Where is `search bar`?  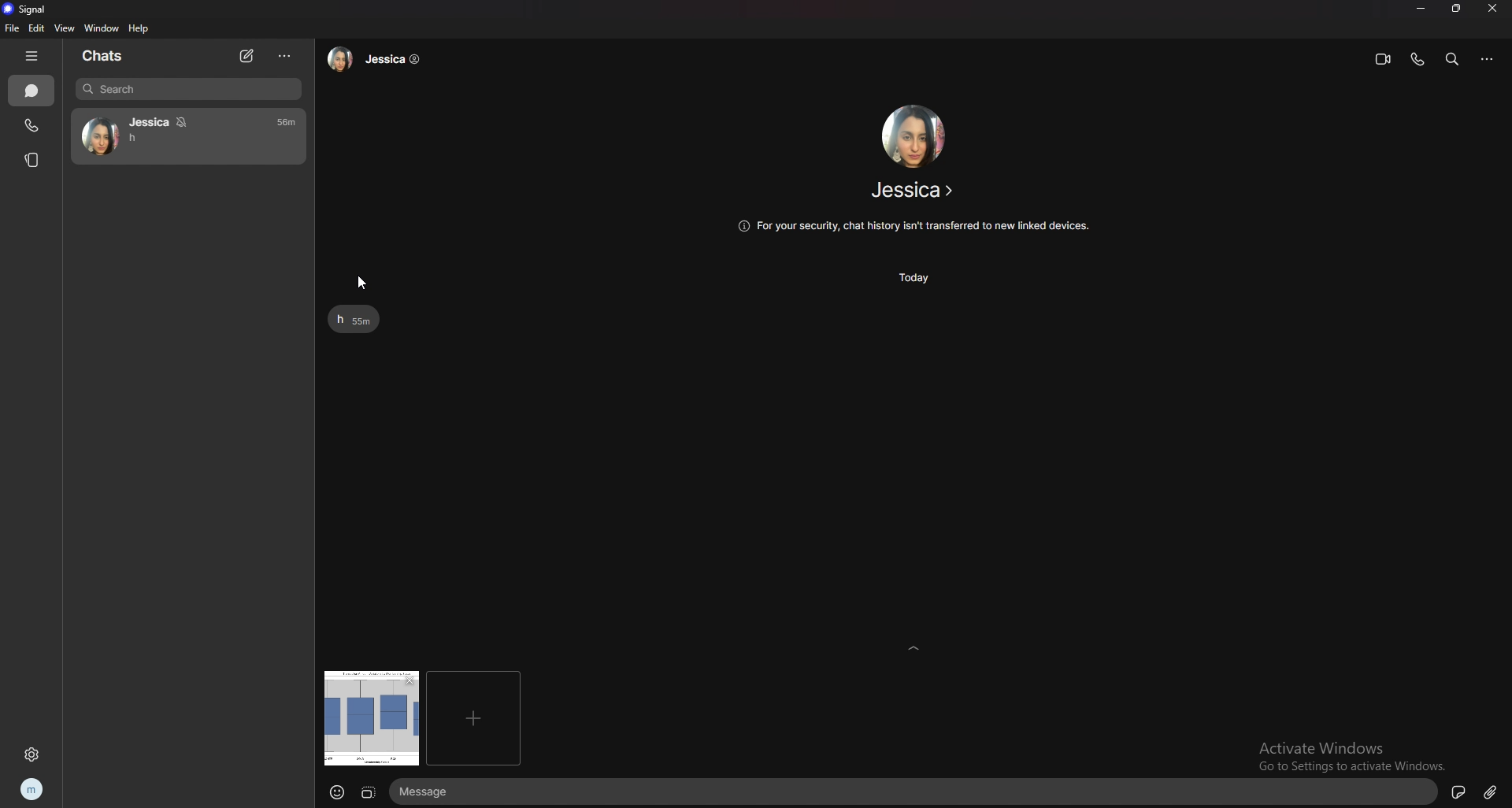 search bar is located at coordinates (1453, 59).